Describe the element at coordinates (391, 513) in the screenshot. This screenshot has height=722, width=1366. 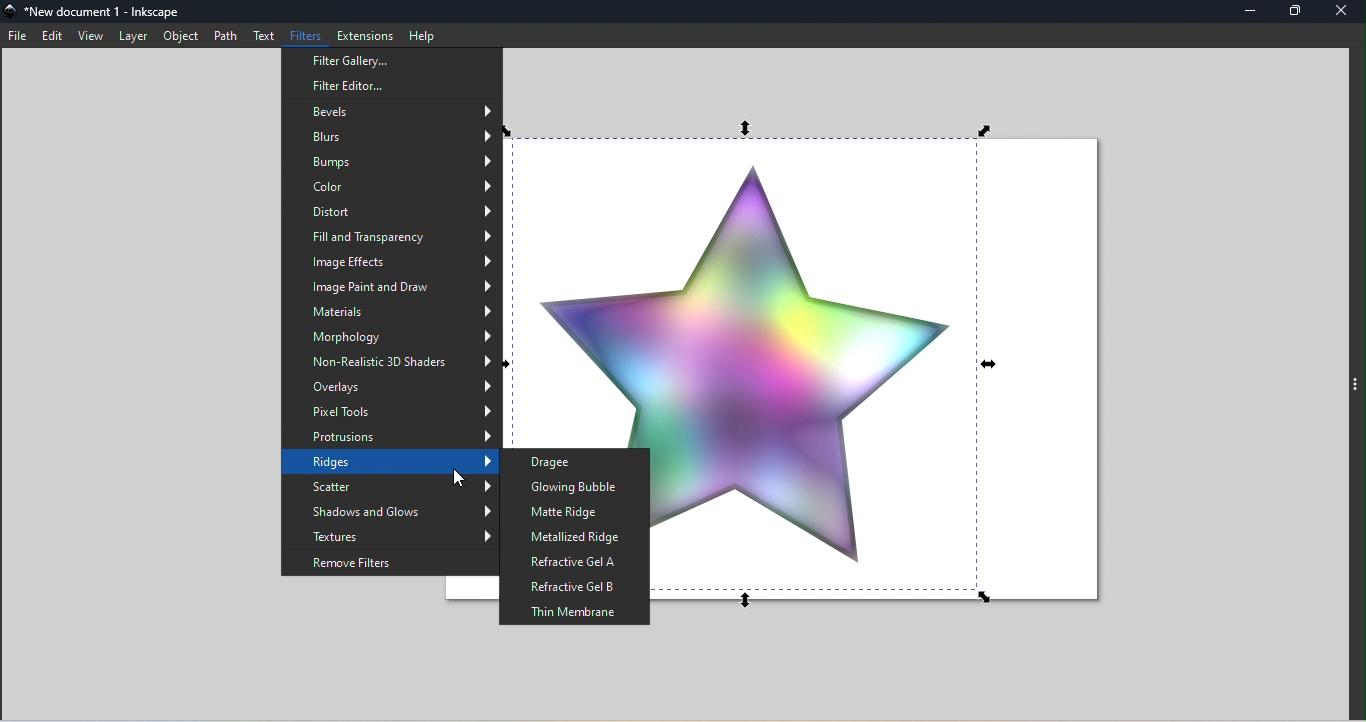
I see `Shadows and glows` at that location.